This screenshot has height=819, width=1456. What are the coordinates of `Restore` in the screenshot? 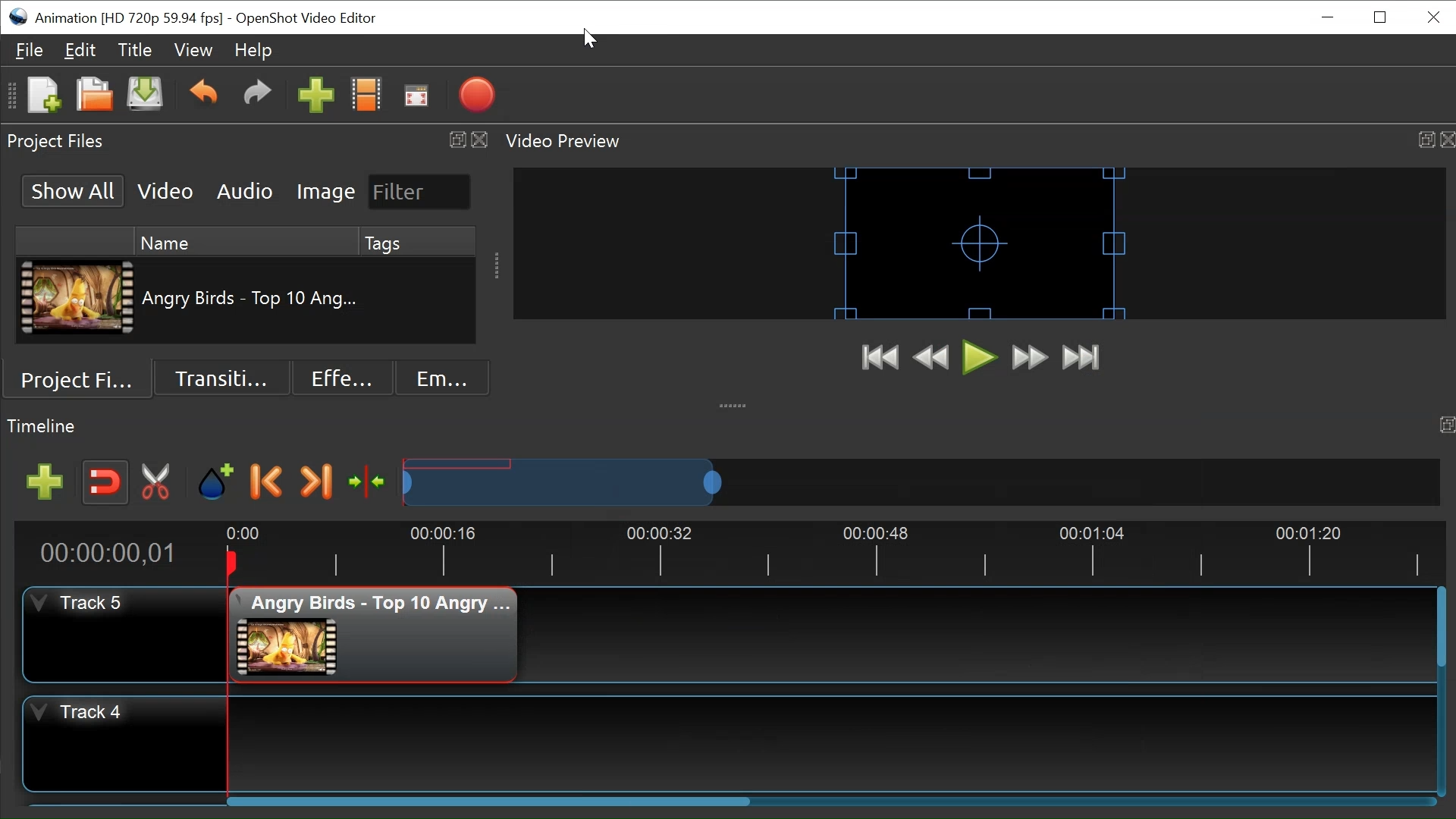 It's located at (1381, 17).